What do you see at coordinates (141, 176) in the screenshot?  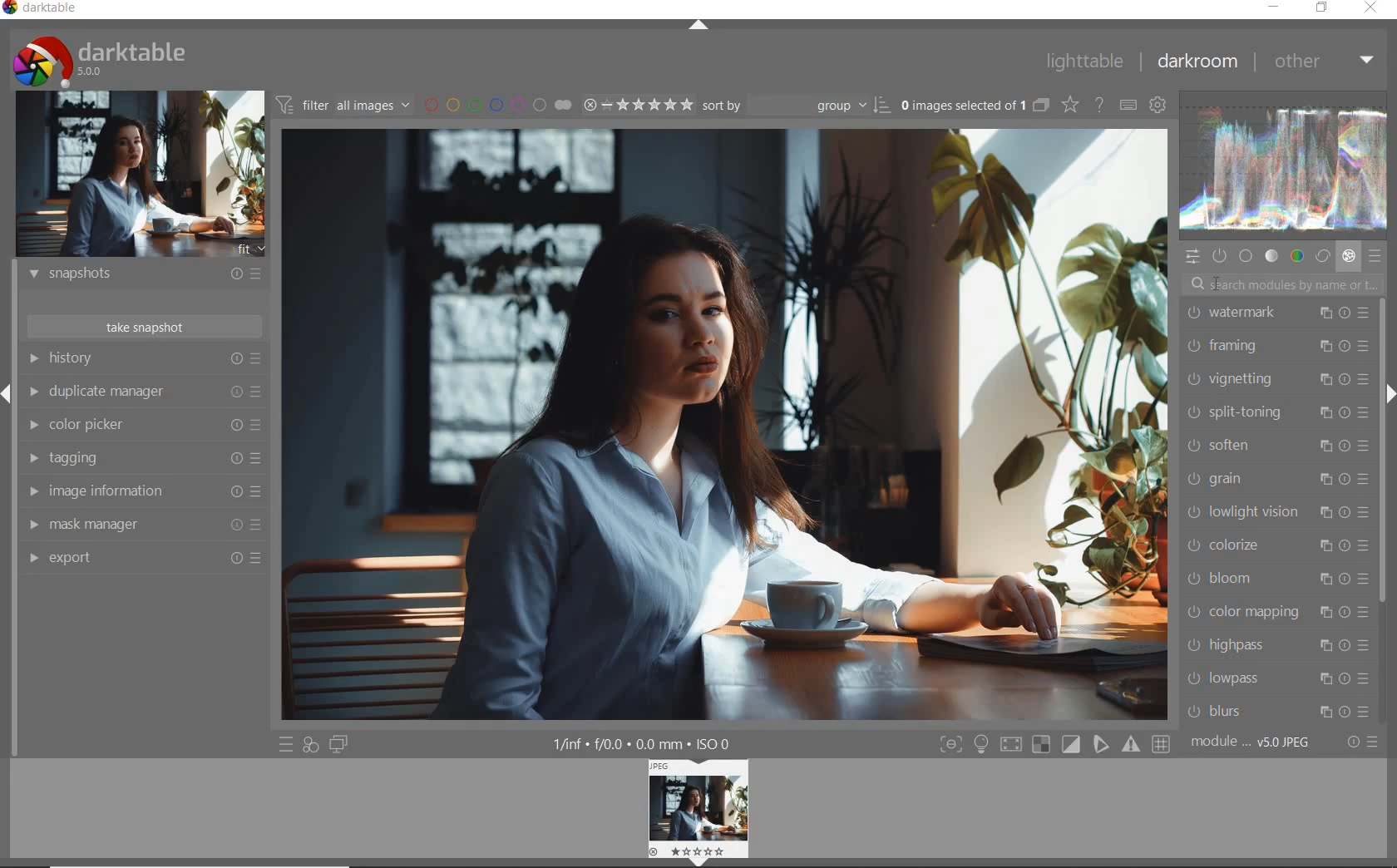 I see `image preview` at bounding box center [141, 176].